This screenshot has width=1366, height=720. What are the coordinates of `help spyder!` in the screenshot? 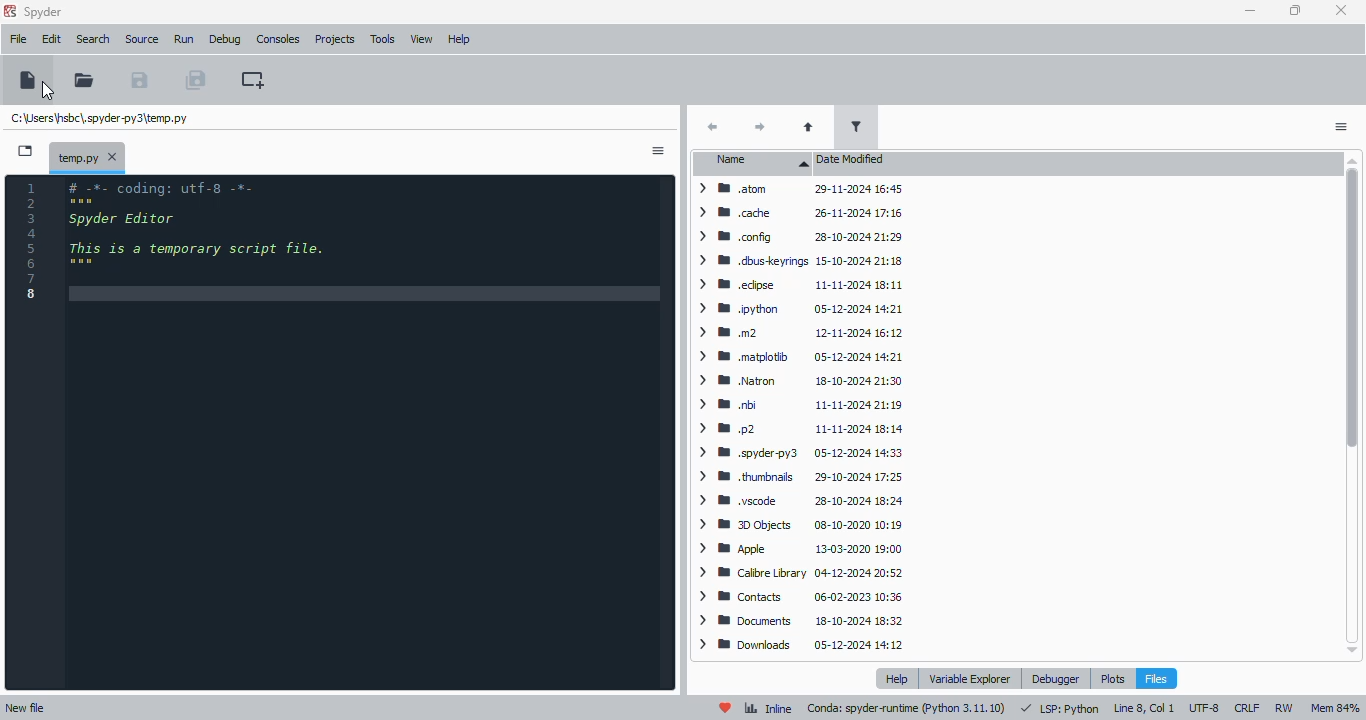 It's located at (726, 707).